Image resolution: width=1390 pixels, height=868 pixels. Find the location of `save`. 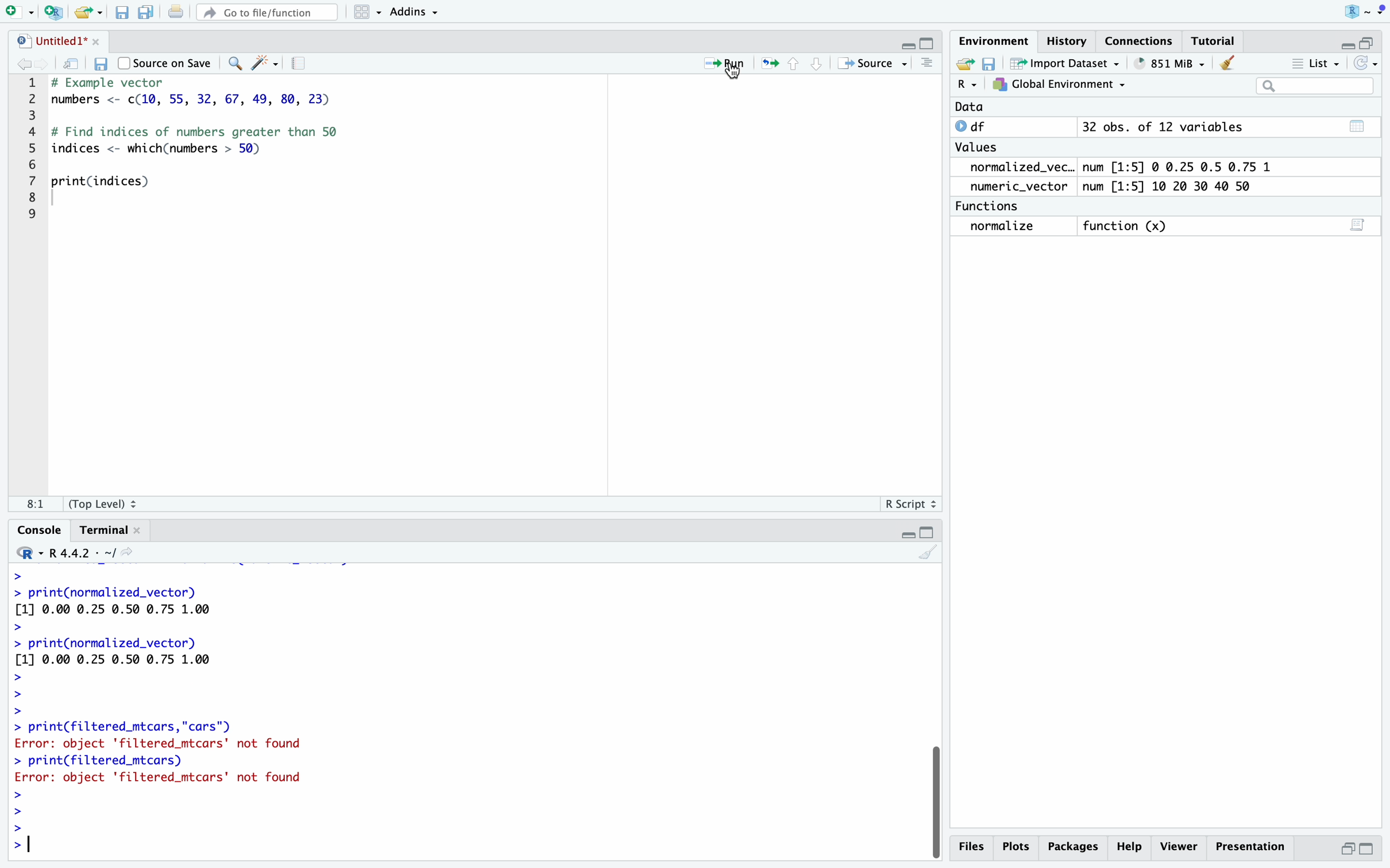

save is located at coordinates (102, 63).